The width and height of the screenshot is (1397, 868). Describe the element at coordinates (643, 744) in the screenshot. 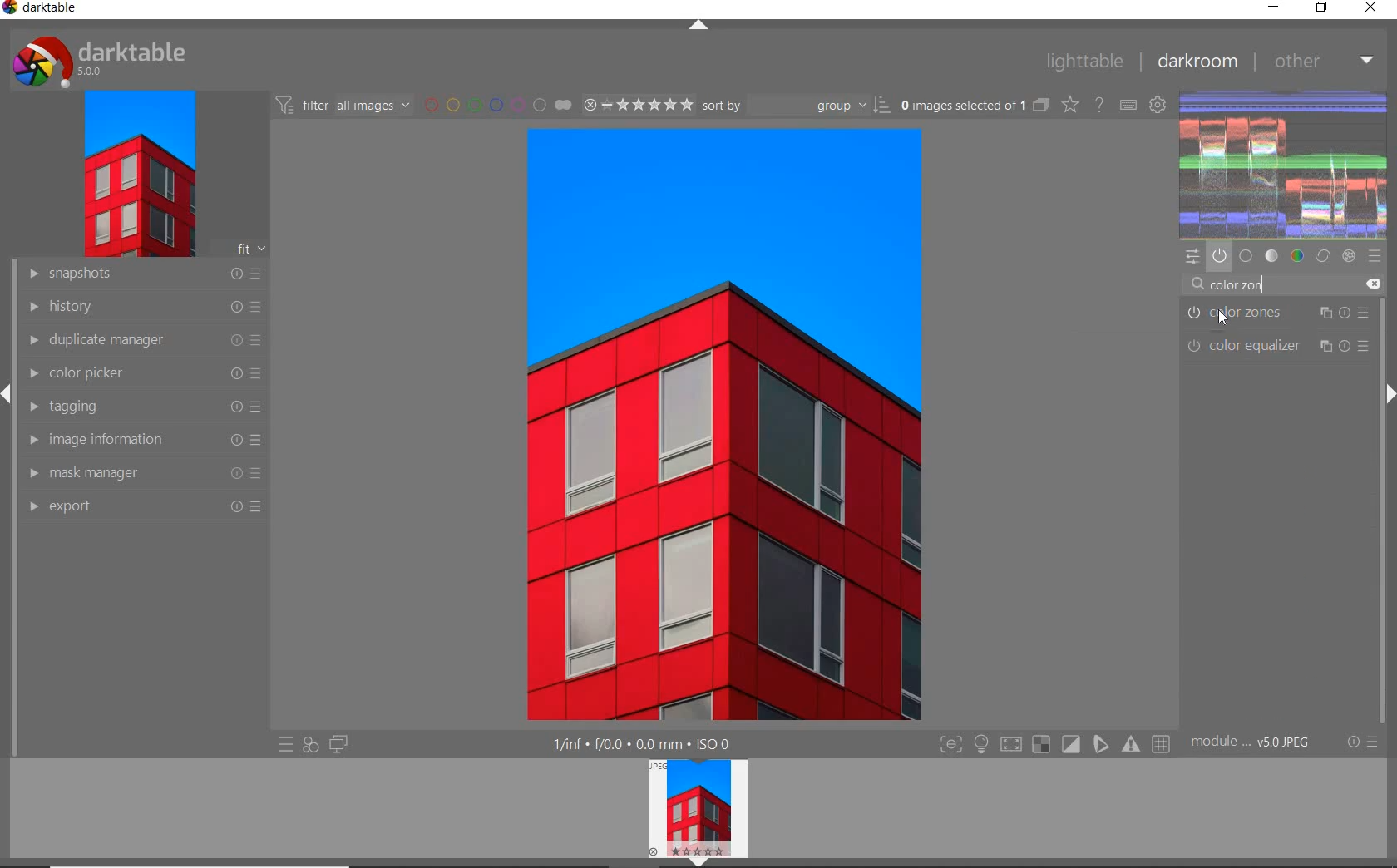

I see `display information` at that location.